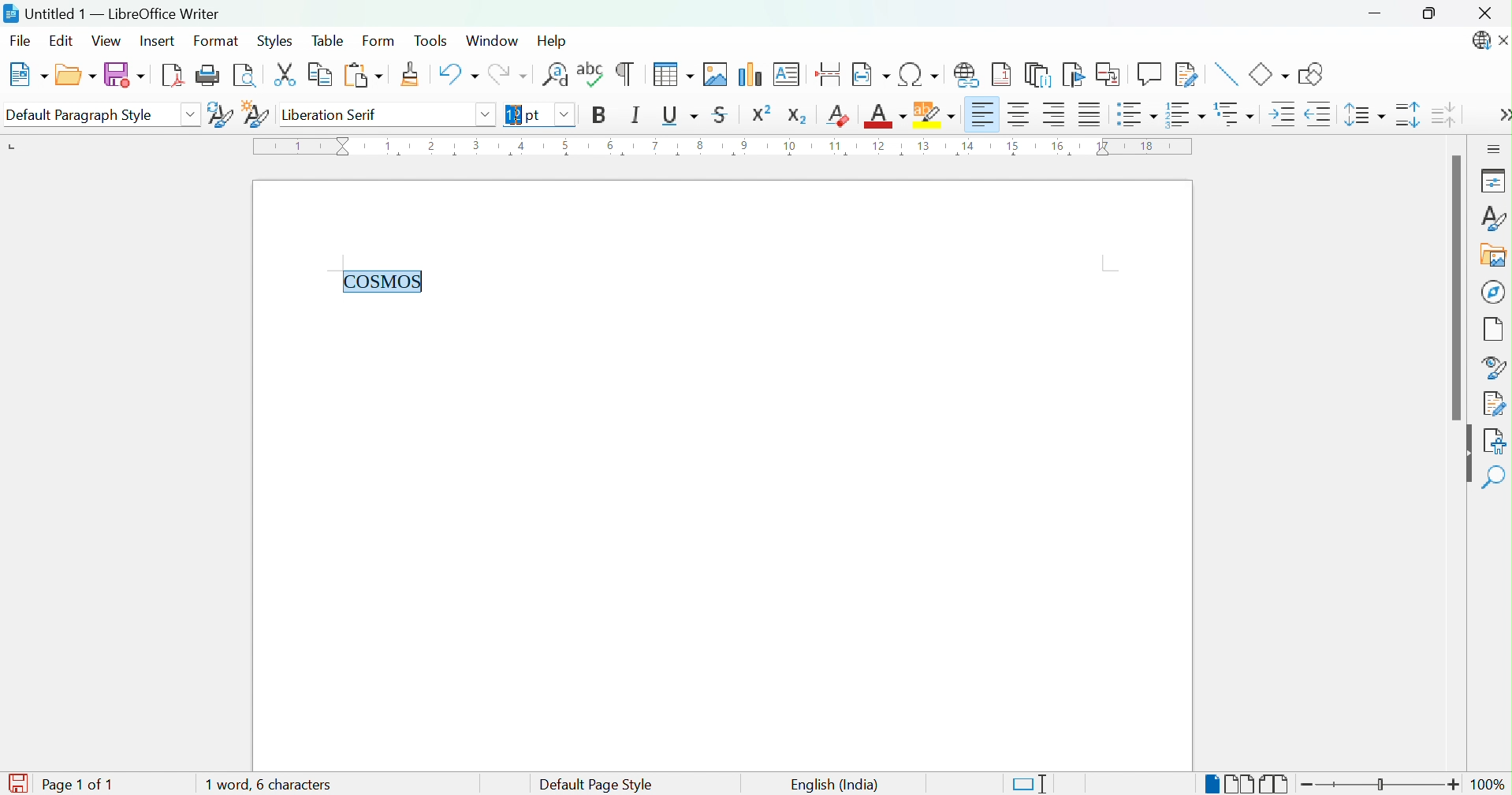 This screenshot has width=1512, height=795. What do you see at coordinates (1279, 114) in the screenshot?
I see `Increase Indent` at bounding box center [1279, 114].